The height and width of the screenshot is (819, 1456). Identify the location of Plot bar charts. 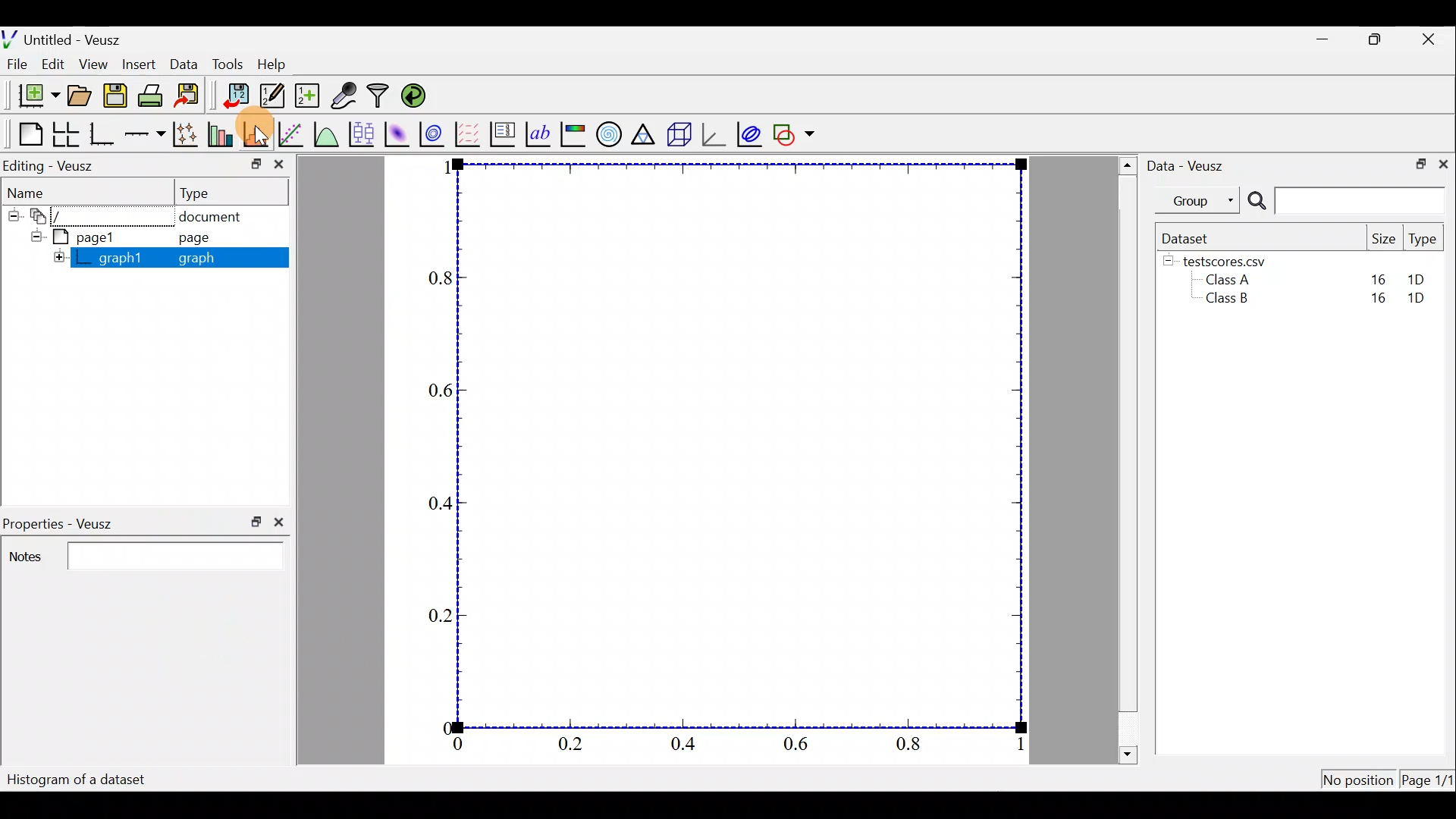
(222, 134).